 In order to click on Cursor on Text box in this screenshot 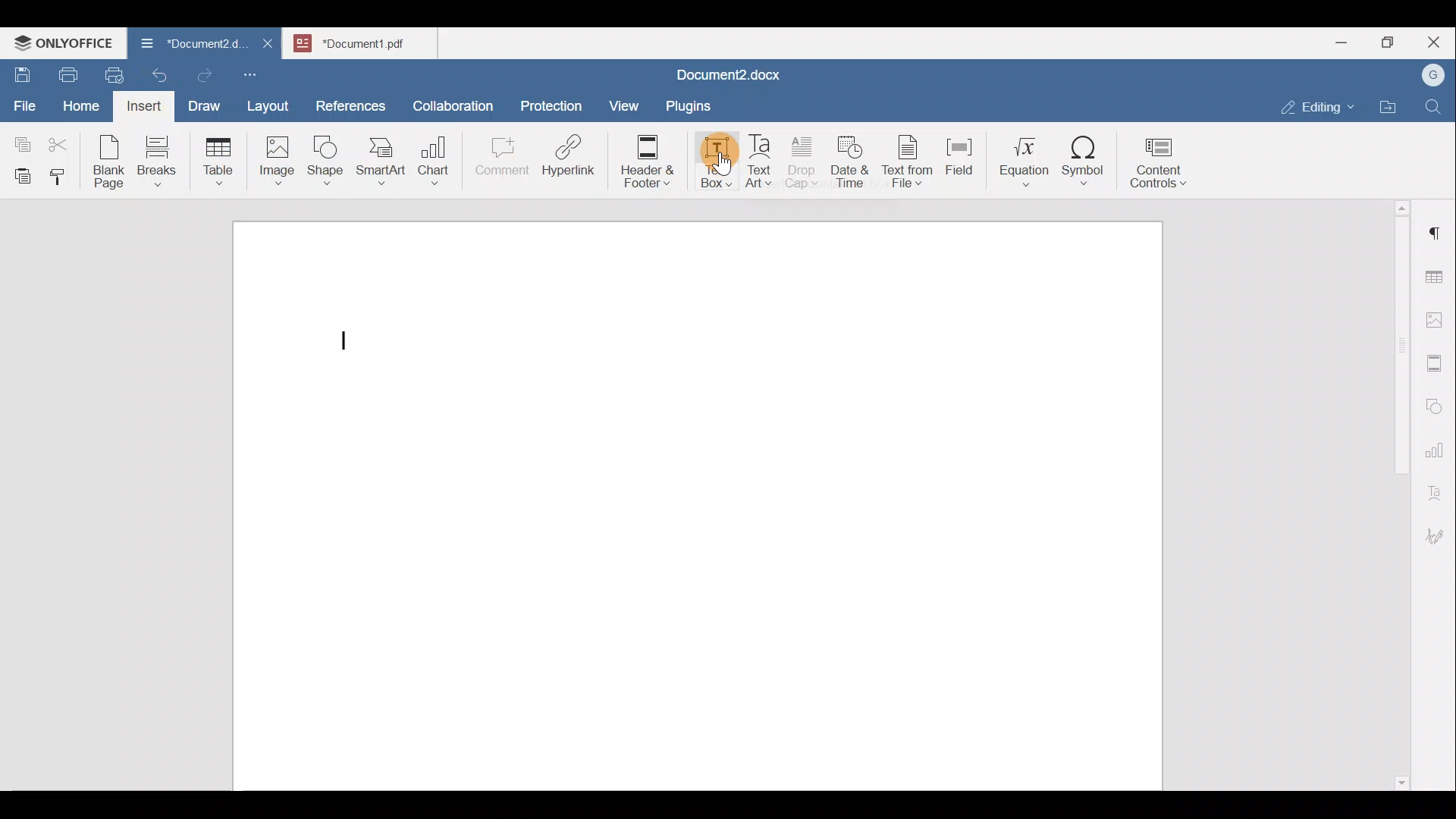, I will do `click(710, 170)`.